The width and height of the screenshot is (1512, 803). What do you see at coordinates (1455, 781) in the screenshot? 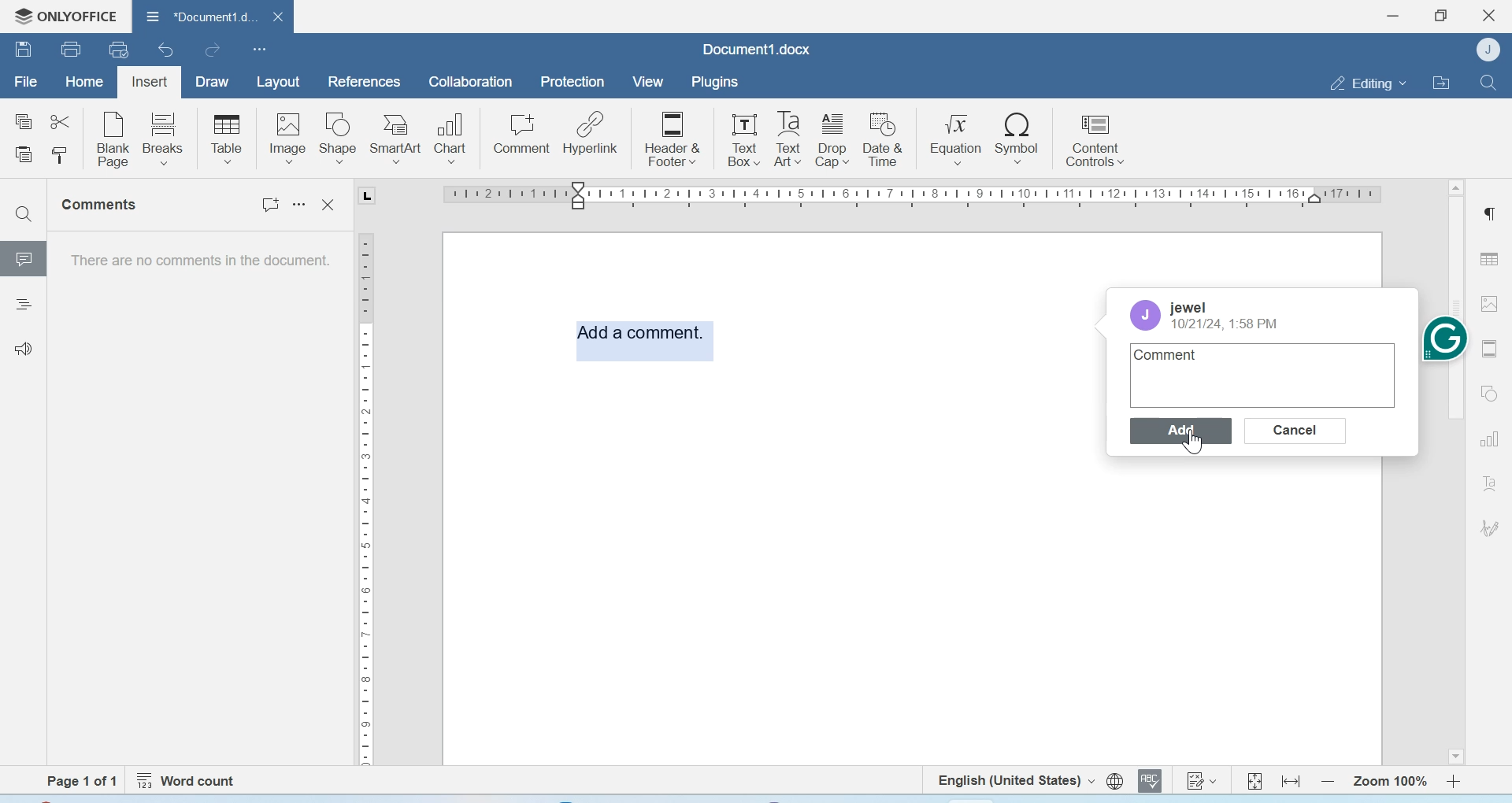
I see `Zoom in` at bounding box center [1455, 781].